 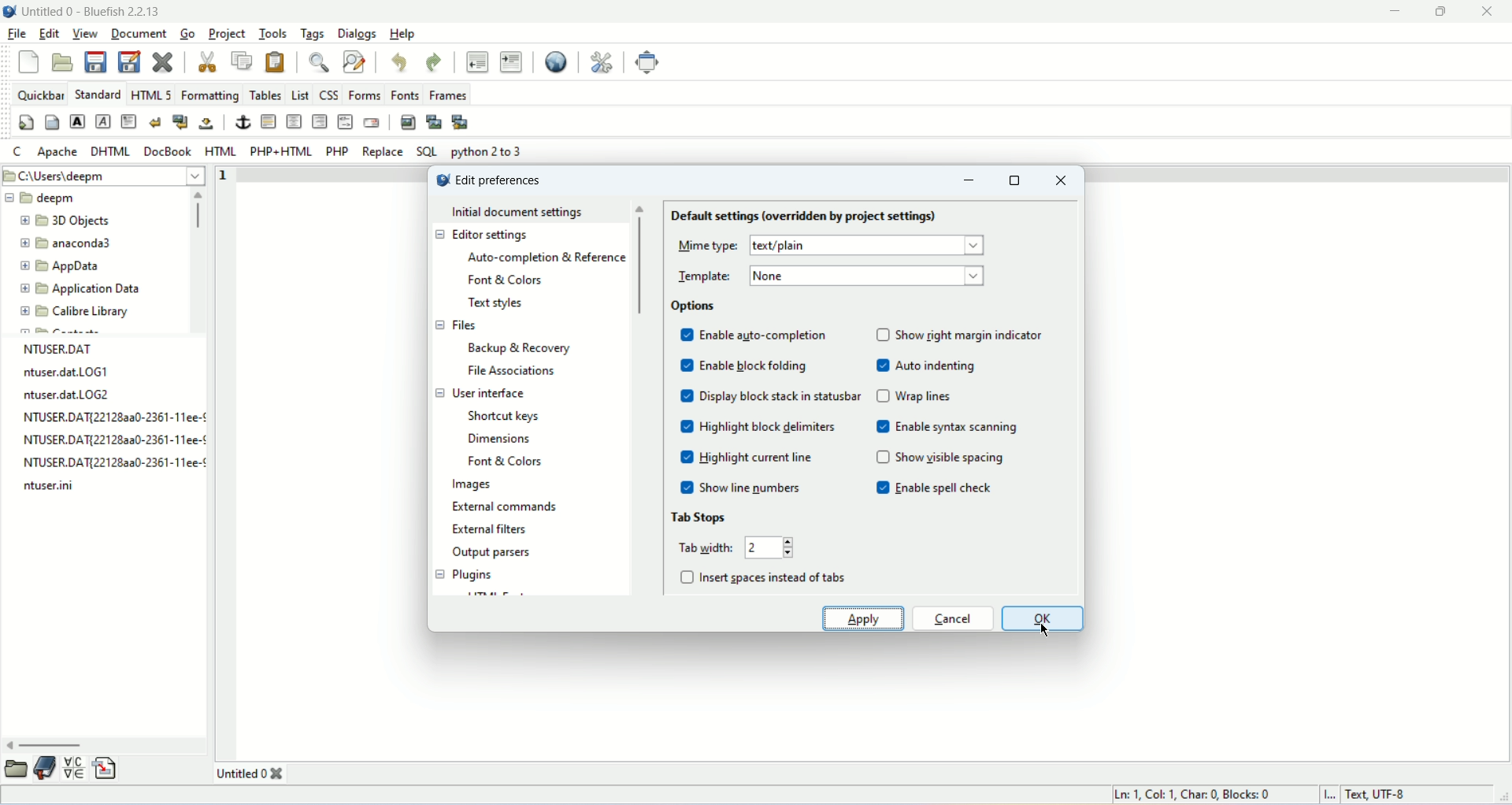 I want to click on horizontal rule, so click(x=268, y=122).